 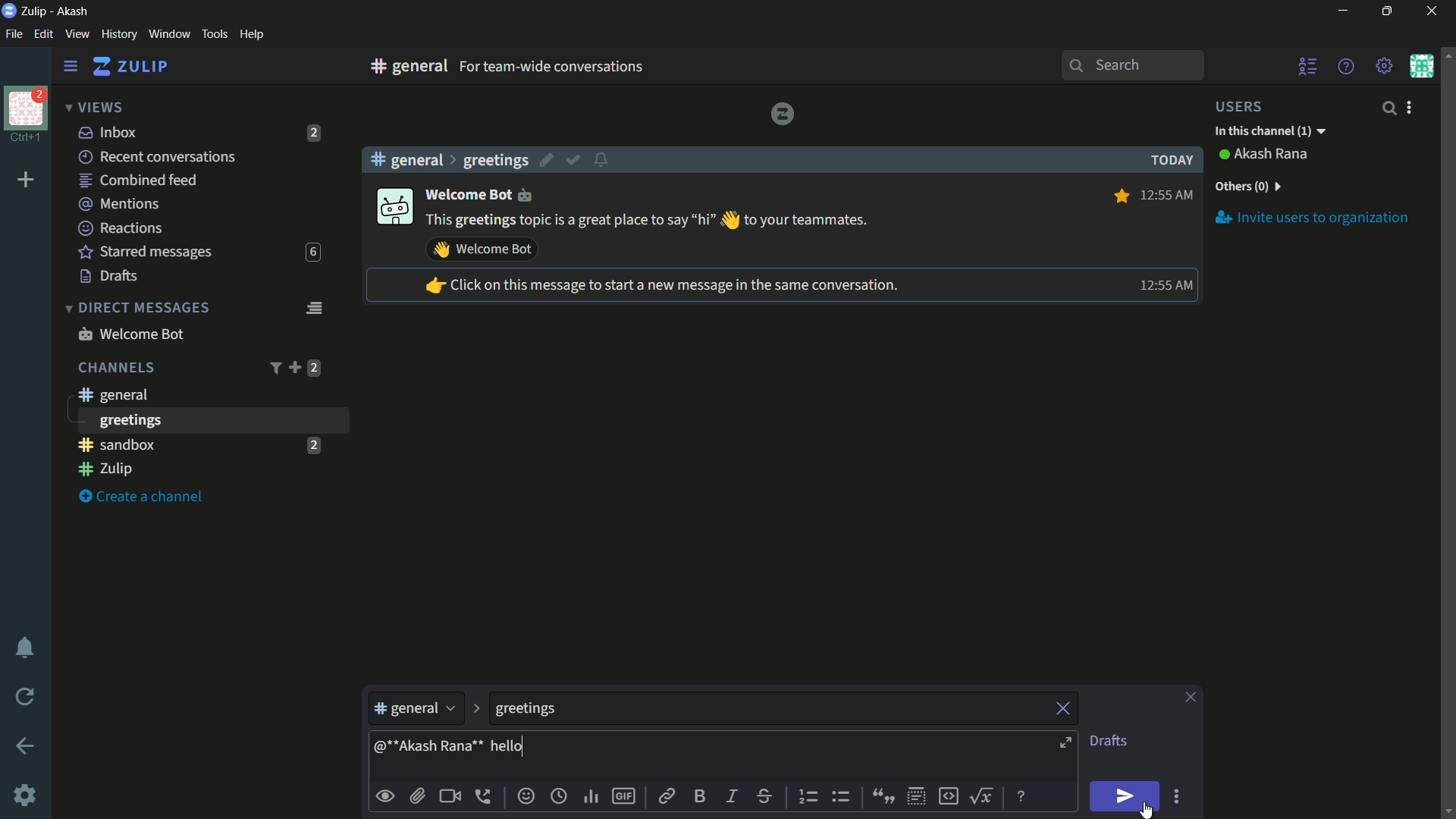 What do you see at coordinates (811, 797) in the screenshot?
I see `ordered list` at bounding box center [811, 797].